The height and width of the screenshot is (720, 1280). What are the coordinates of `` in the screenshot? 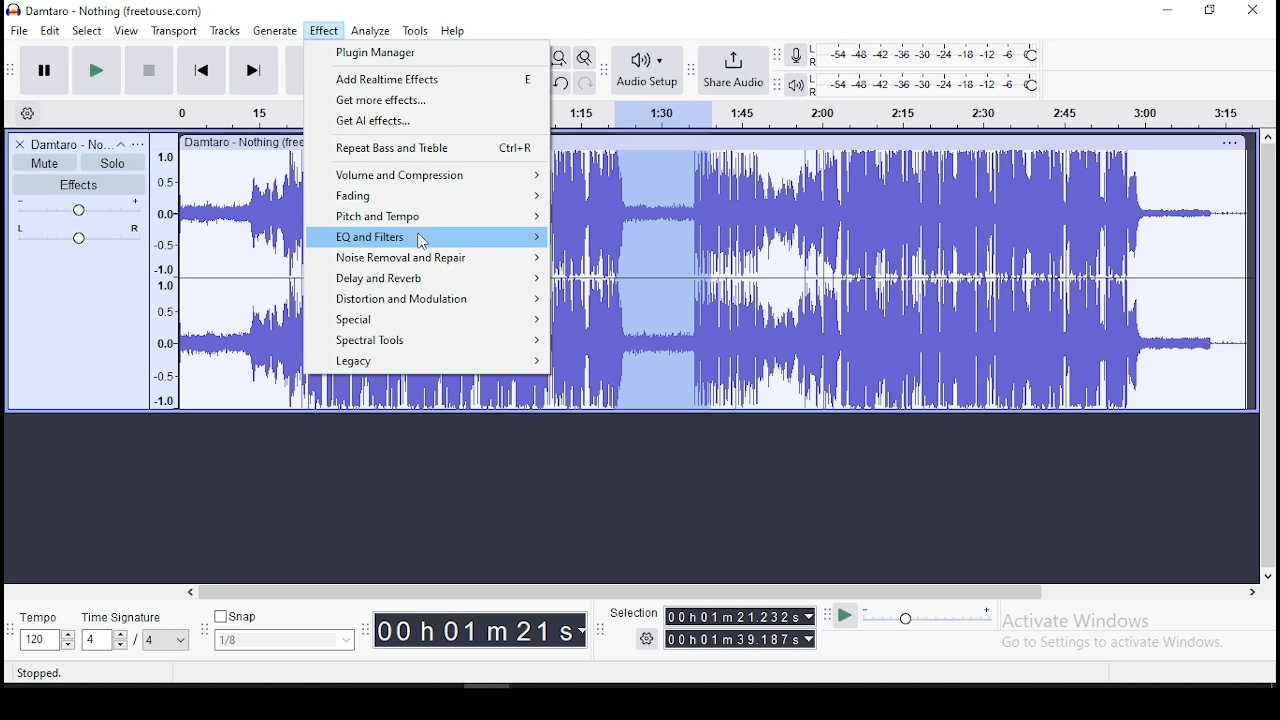 It's located at (690, 70).